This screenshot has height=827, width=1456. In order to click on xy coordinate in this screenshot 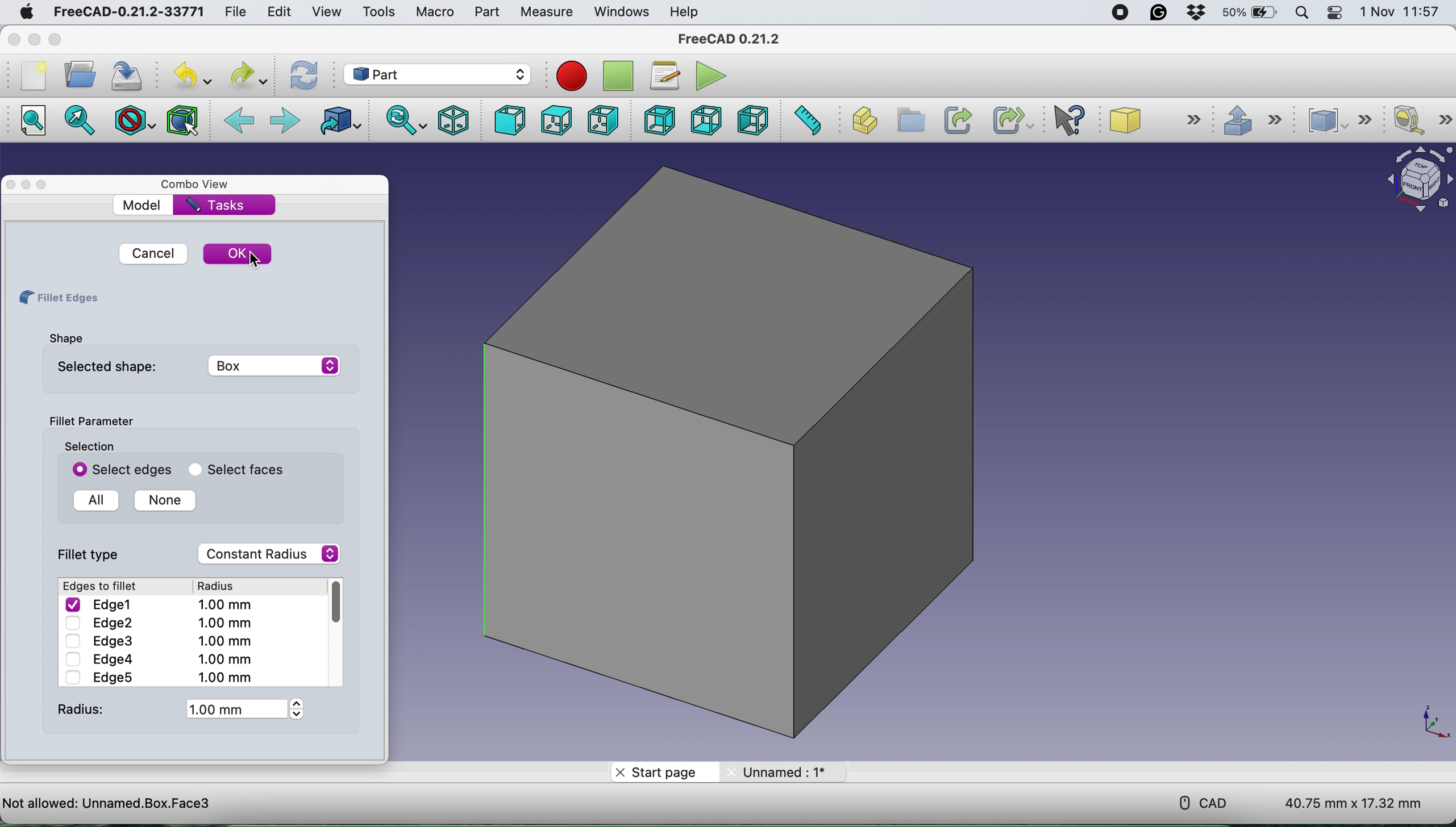, I will do `click(1421, 721)`.